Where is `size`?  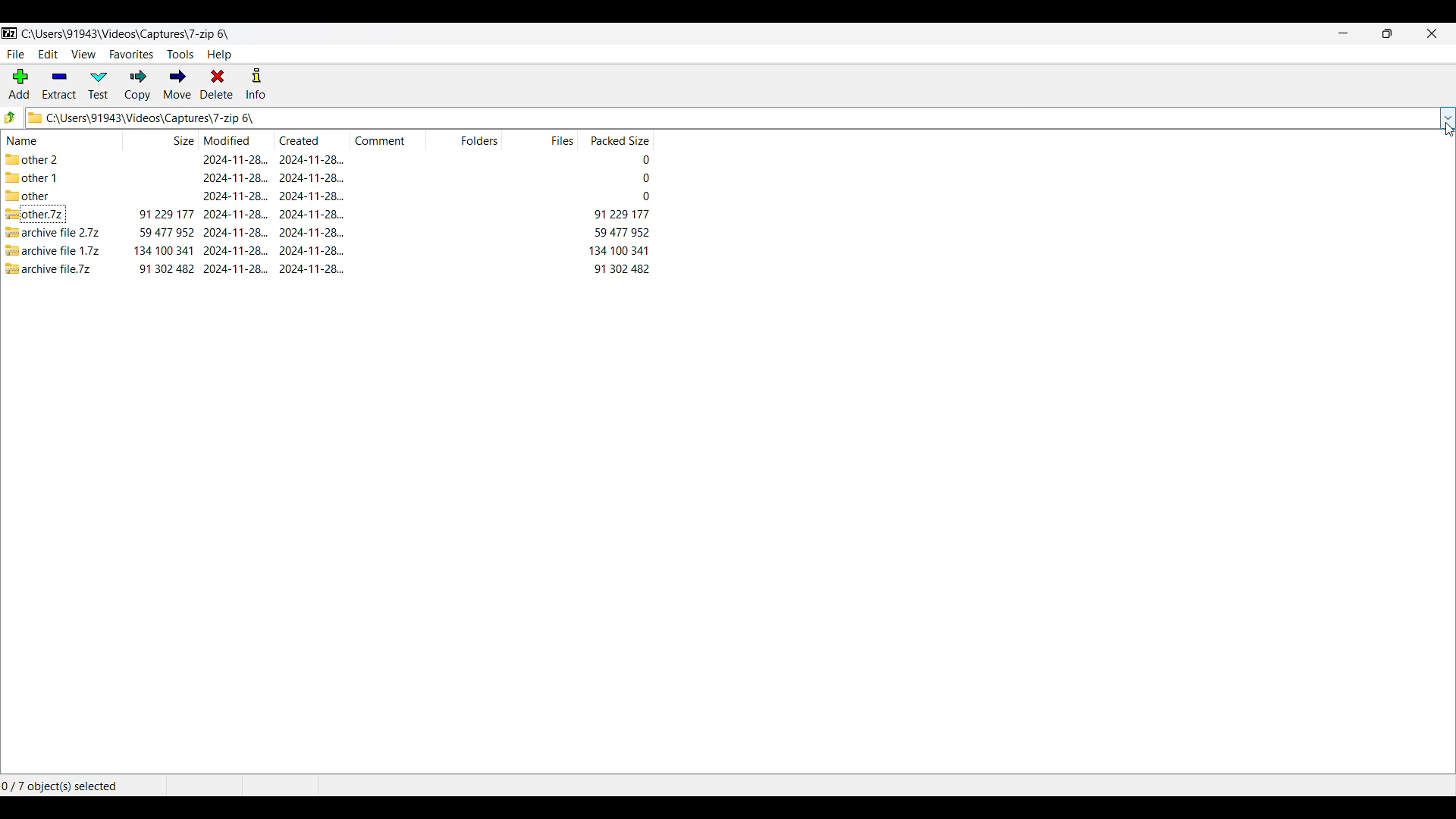
size is located at coordinates (165, 250).